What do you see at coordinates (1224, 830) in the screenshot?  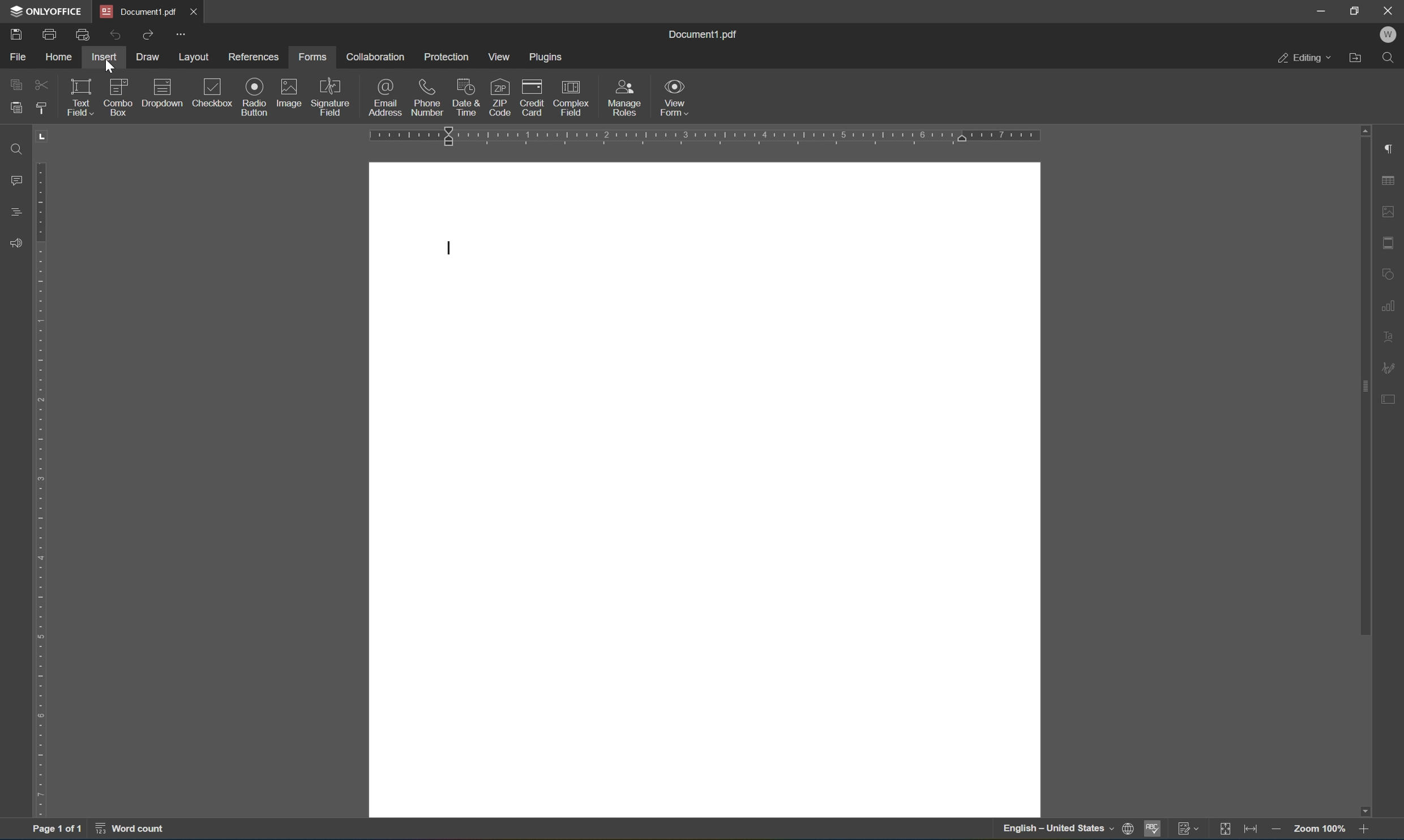 I see `fit to slide` at bounding box center [1224, 830].